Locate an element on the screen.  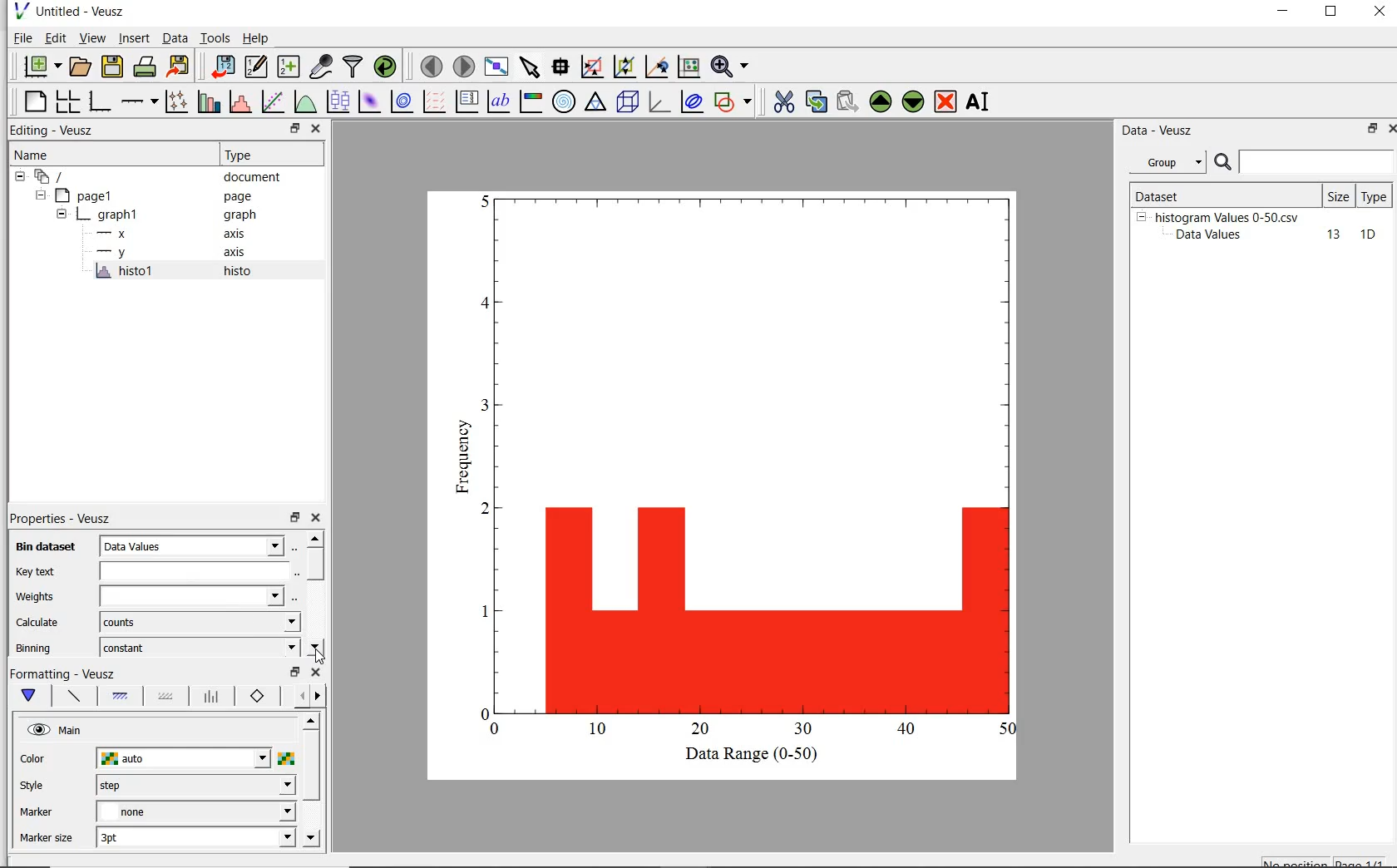
pic color is located at coordinates (286, 758).